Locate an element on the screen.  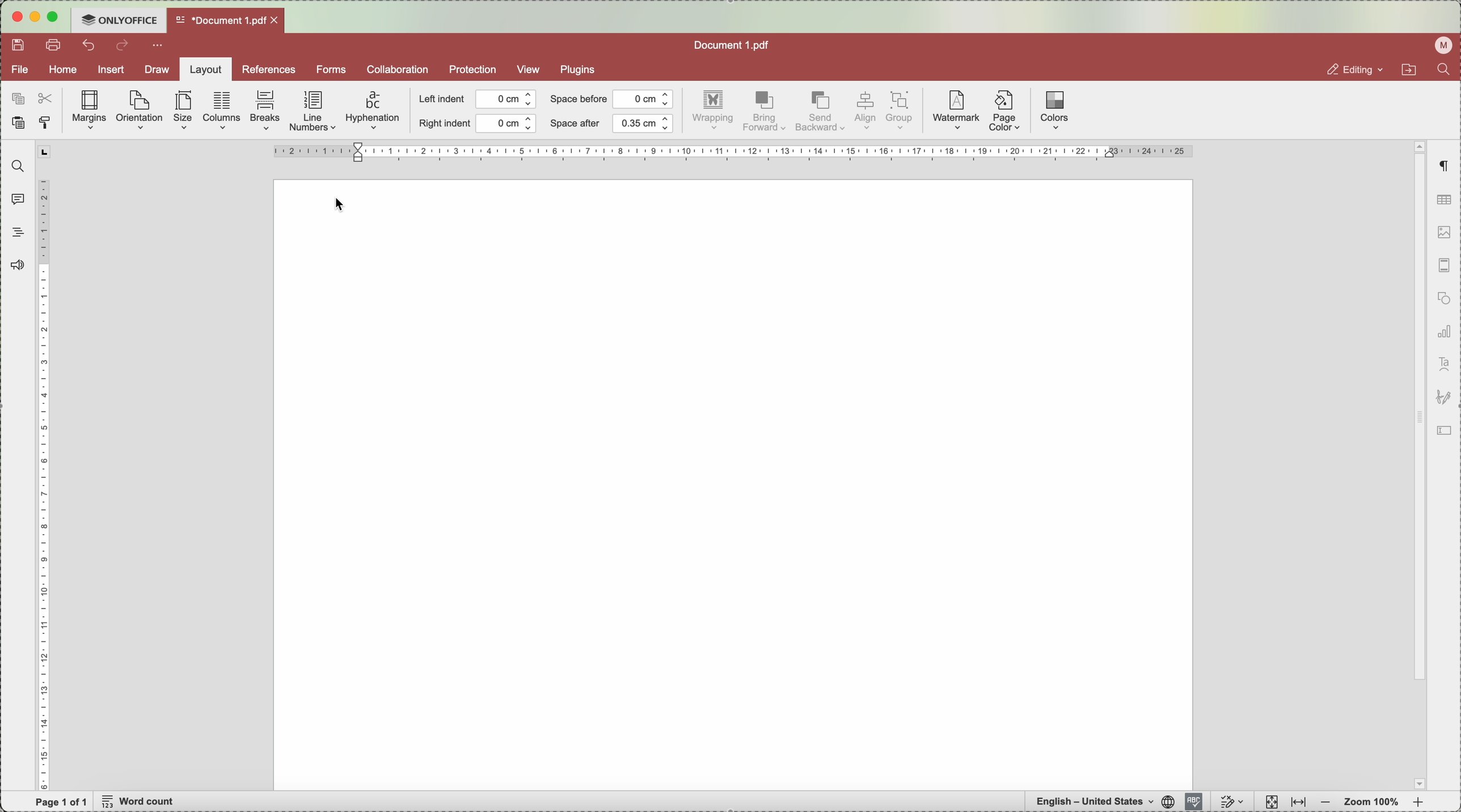
click on layout is located at coordinates (204, 73).